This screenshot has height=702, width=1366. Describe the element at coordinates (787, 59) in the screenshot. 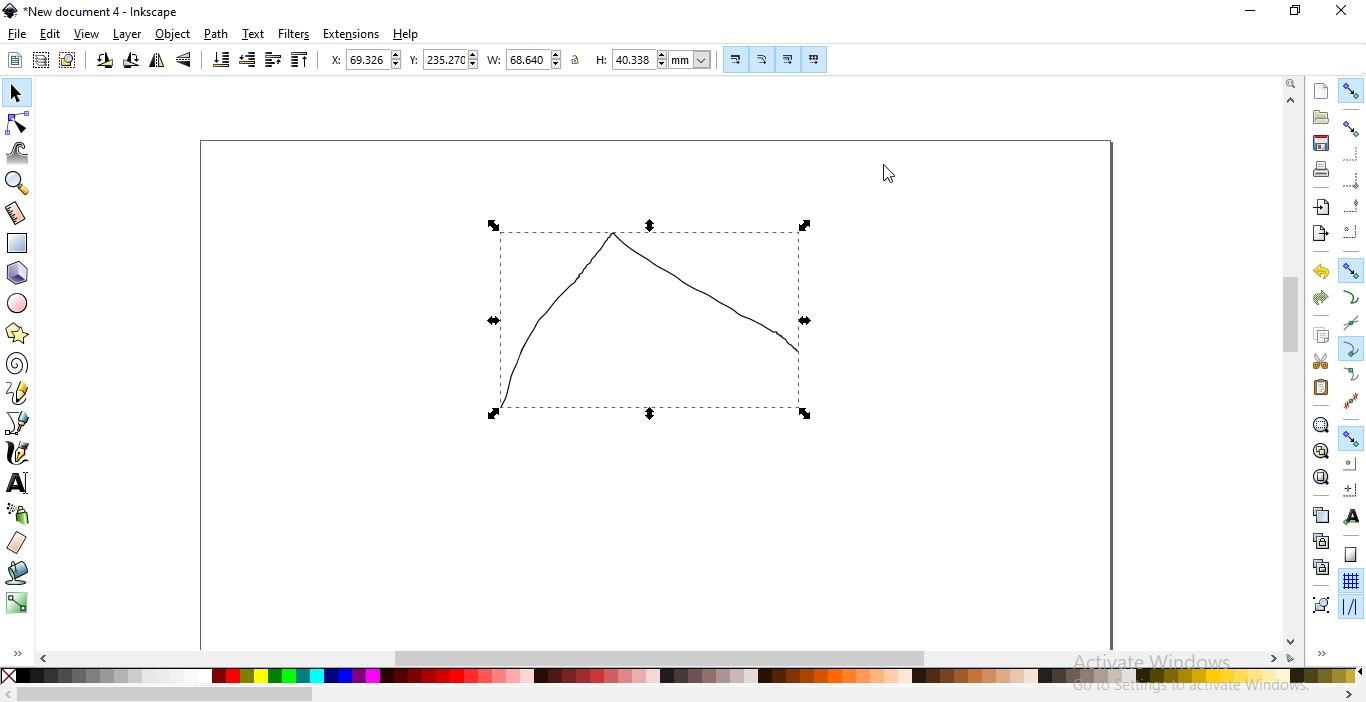

I see `` at that location.